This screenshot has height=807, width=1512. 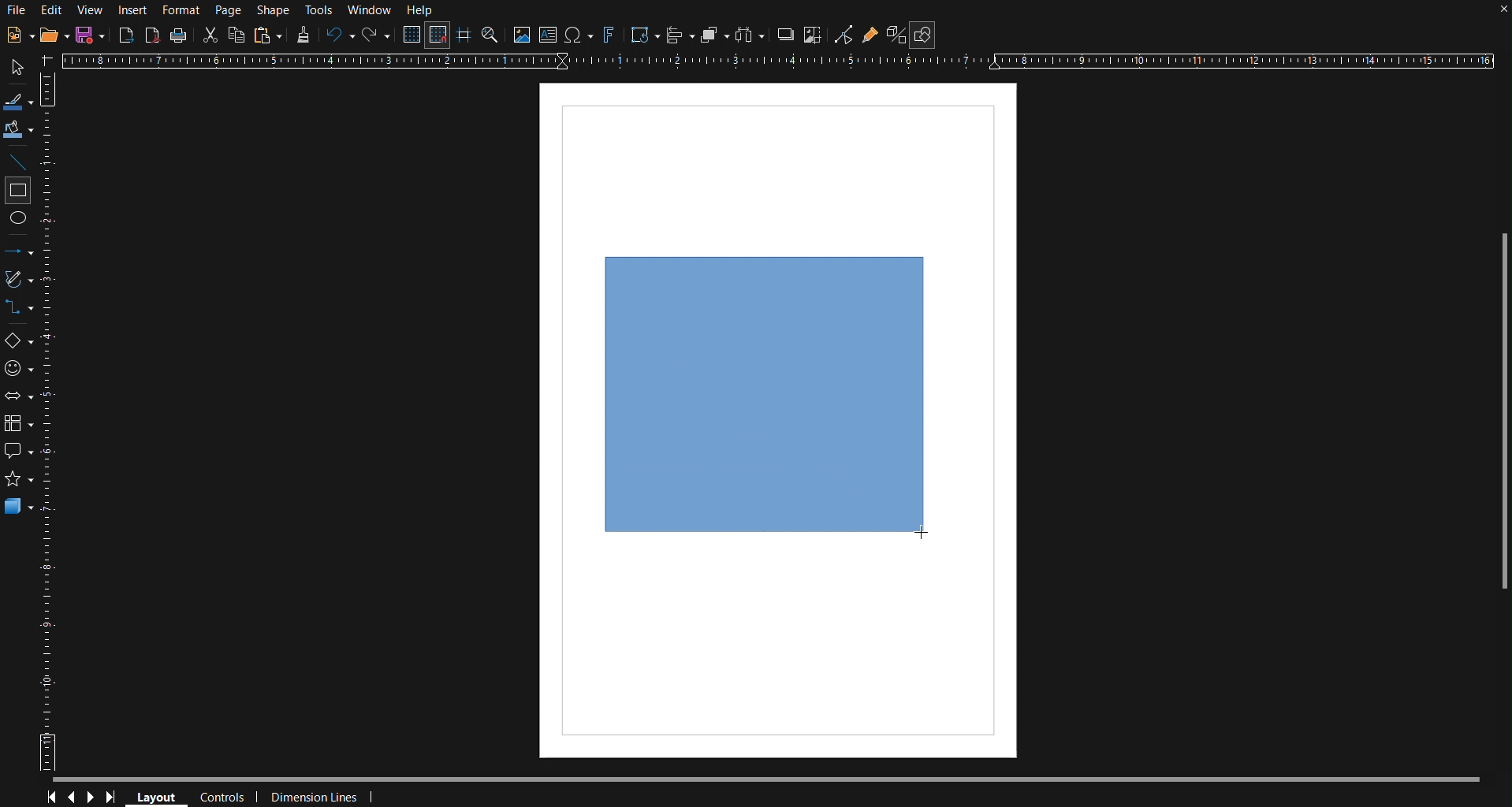 What do you see at coordinates (19, 99) in the screenshot?
I see `Line Color` at bounding box center [19, 99].